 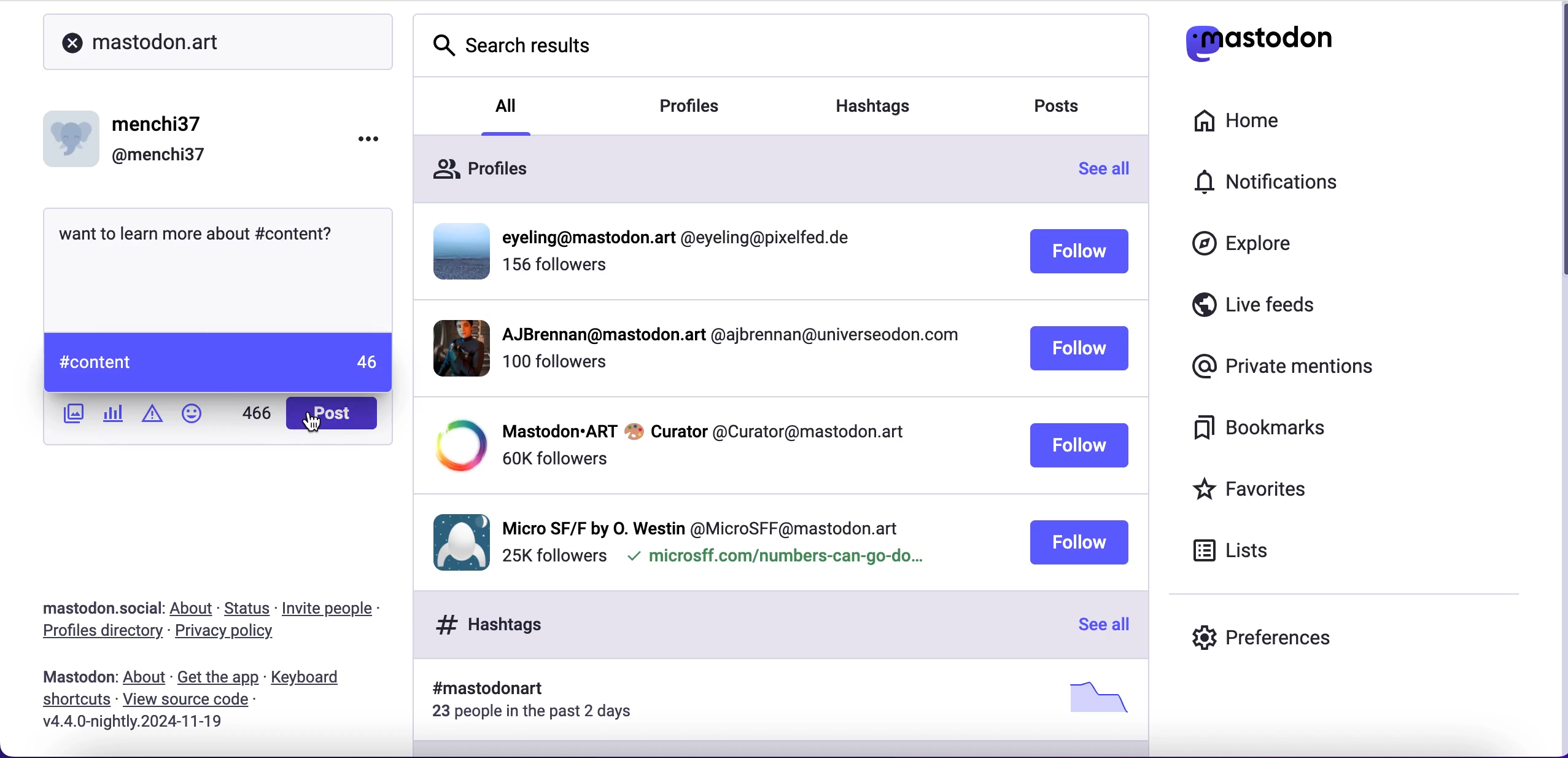 What do you see at coordinates (159, 125) in the screenshot?
I see `menchi37` at bounding box center [159, 125].